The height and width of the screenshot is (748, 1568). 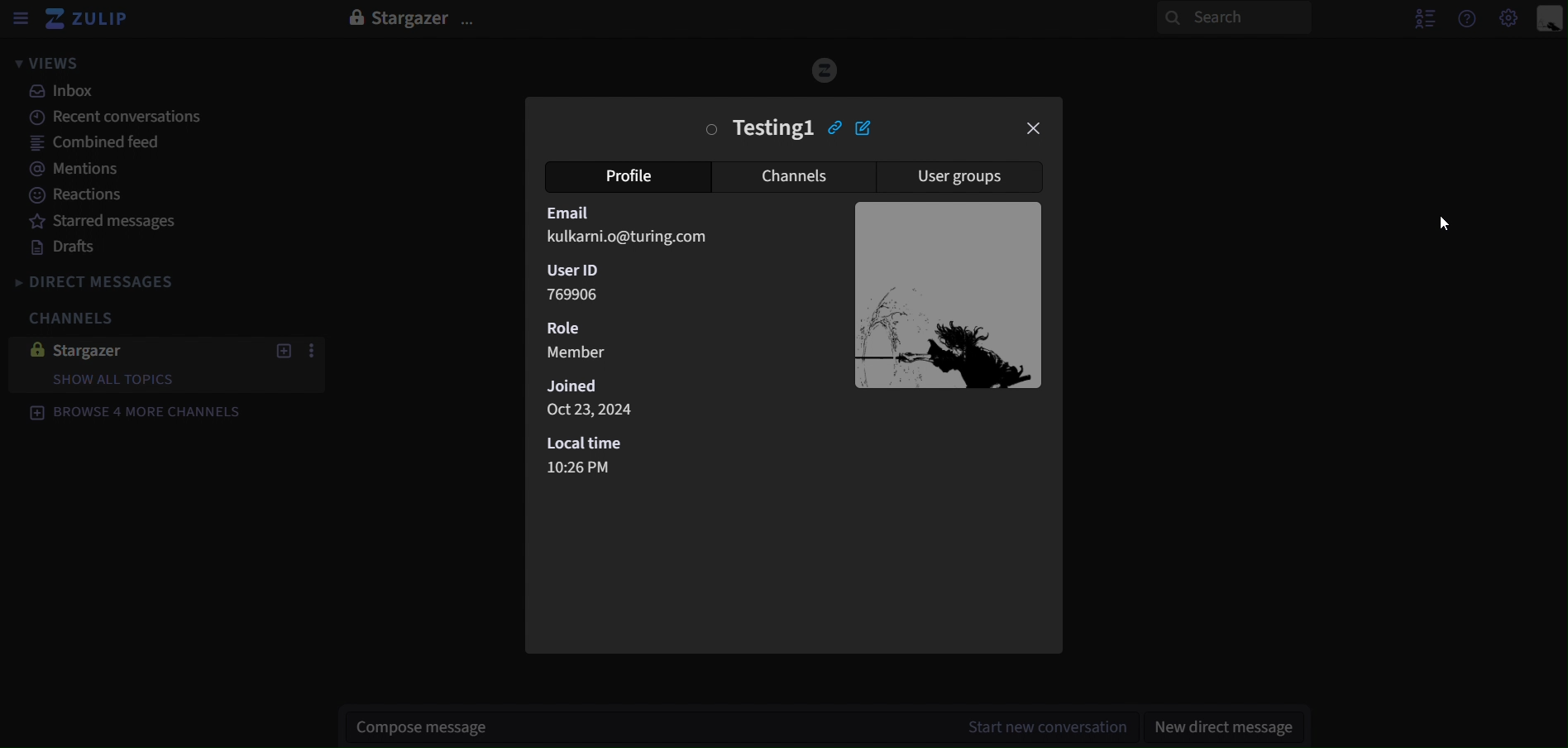 I want to click on cursor, so click(x=1446, y=224).